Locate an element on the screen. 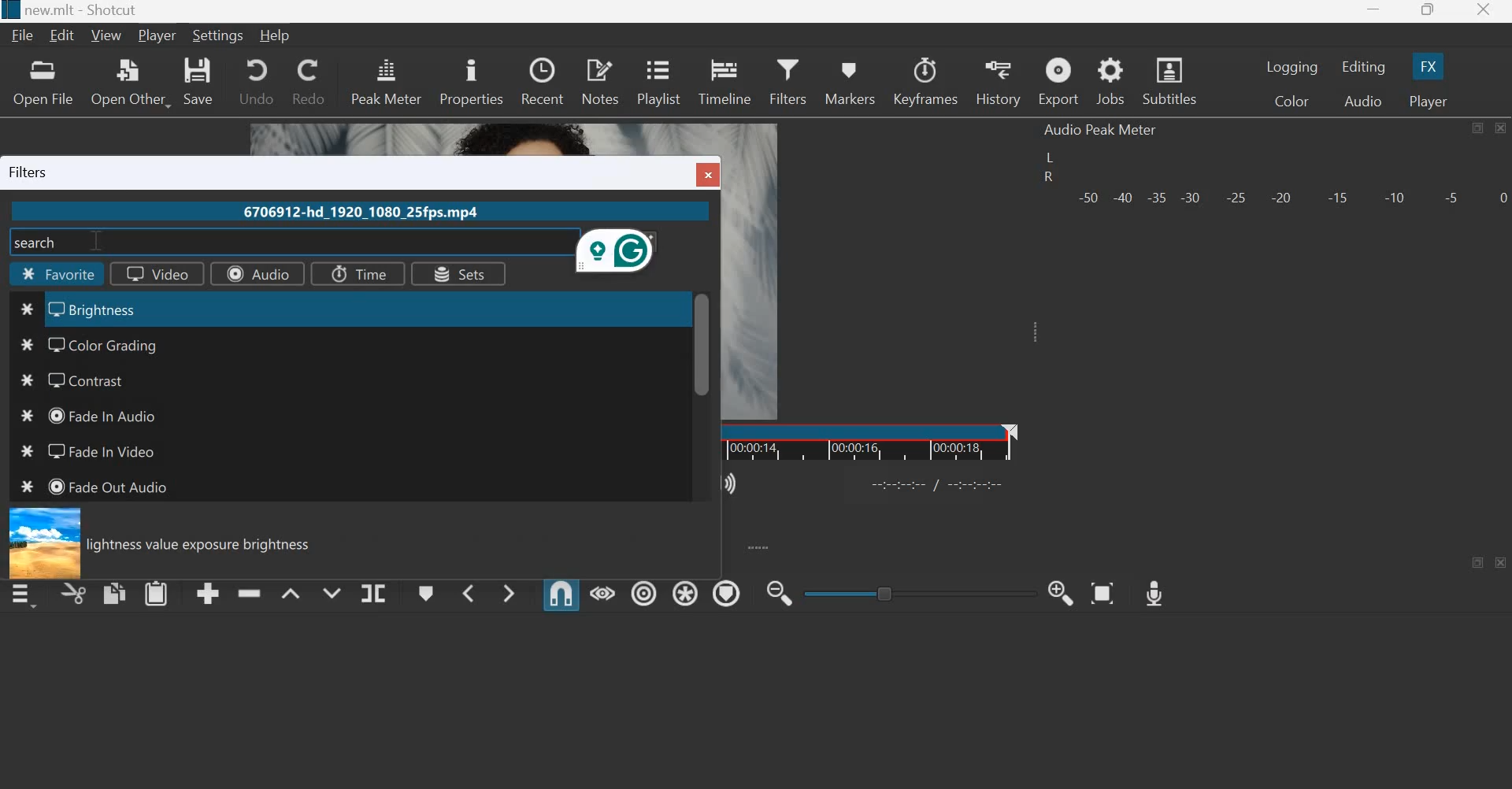 The width and height of the screenshot is (1512, 789). Audio Peak Meter is located at coordinates (1101, 130).